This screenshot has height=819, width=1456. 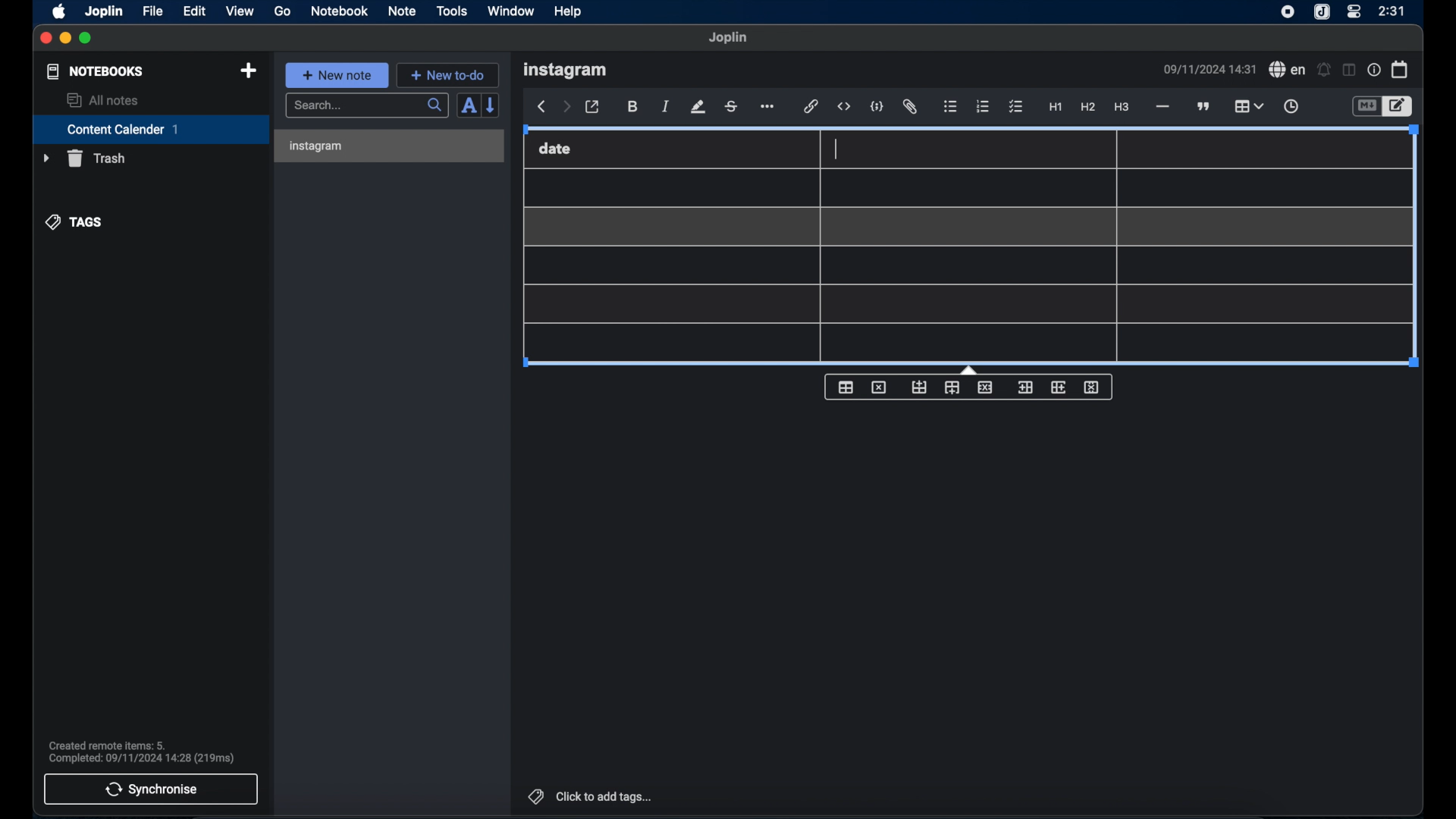 What do you see at coordinates (151, 789) in the screenshot?
I see `synchronise` at bounding box center [151, 789].